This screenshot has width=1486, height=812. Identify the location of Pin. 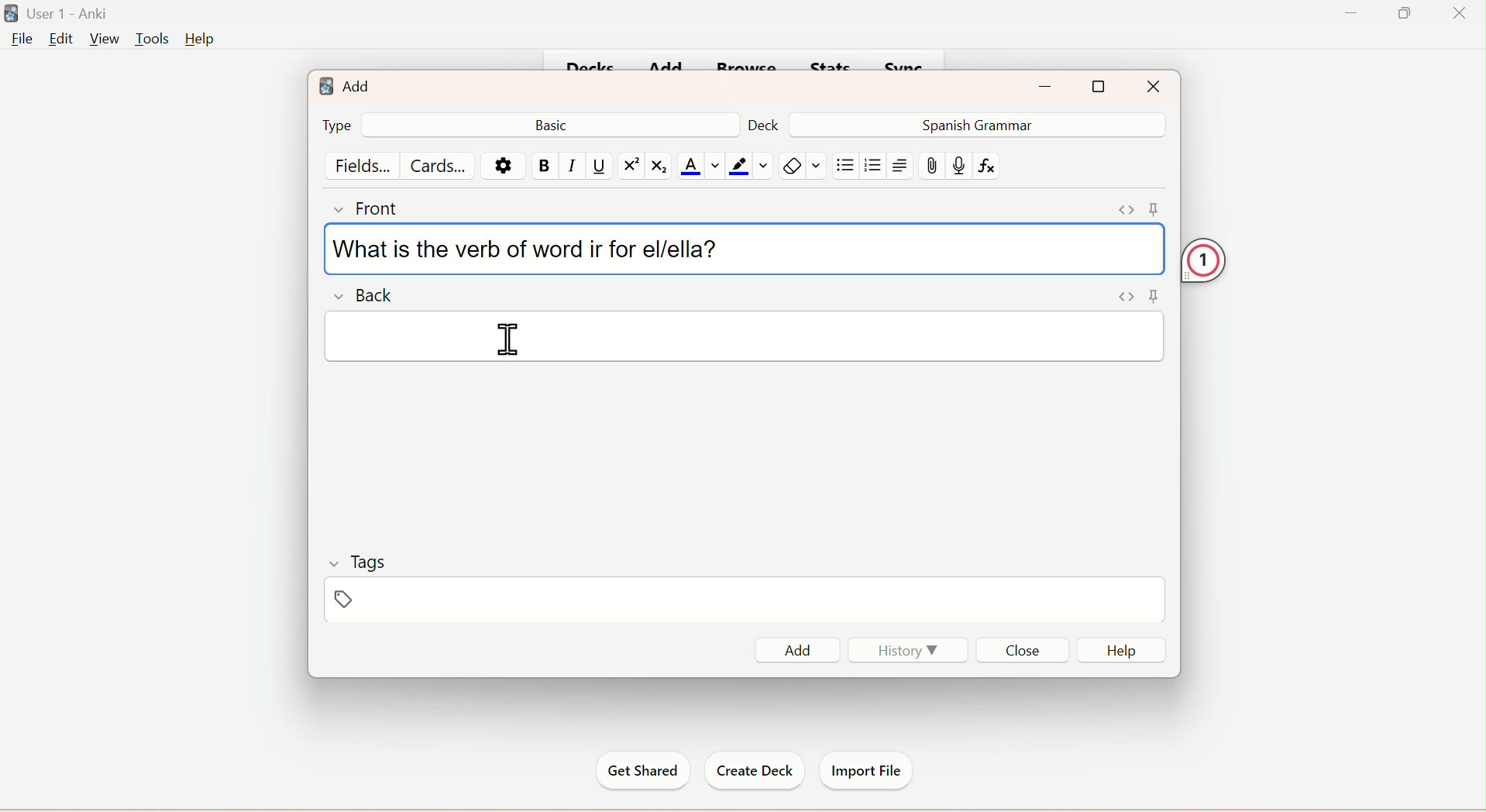
(1133, 207).